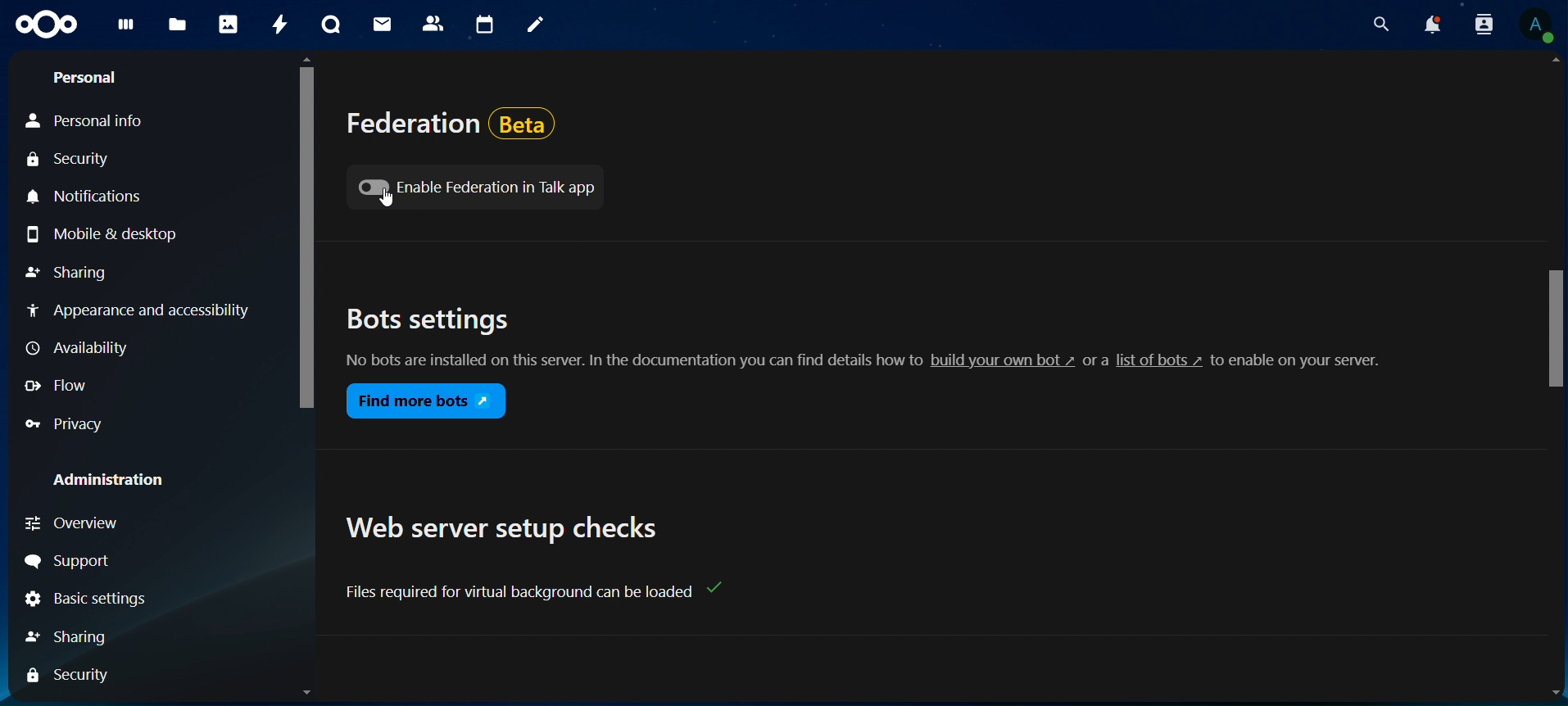 The image size is (1568, 706). Describe the element at coordinates (279, 24) in the screenshot. I see `activity` at that location.